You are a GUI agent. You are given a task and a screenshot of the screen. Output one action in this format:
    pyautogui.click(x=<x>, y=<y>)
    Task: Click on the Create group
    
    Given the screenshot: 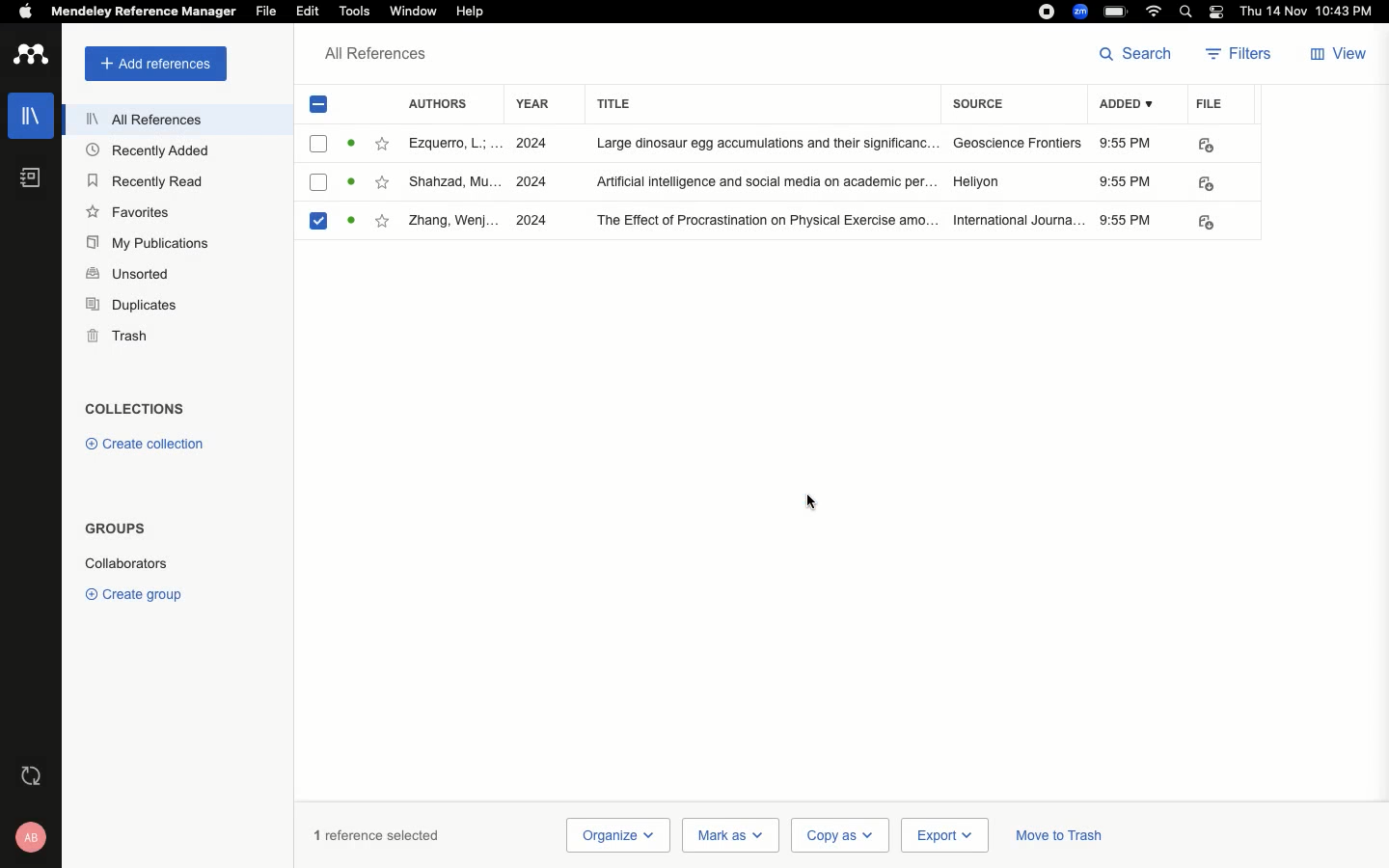 What is the action you would take?
    pyautogui.click(x=138, y=593)
    